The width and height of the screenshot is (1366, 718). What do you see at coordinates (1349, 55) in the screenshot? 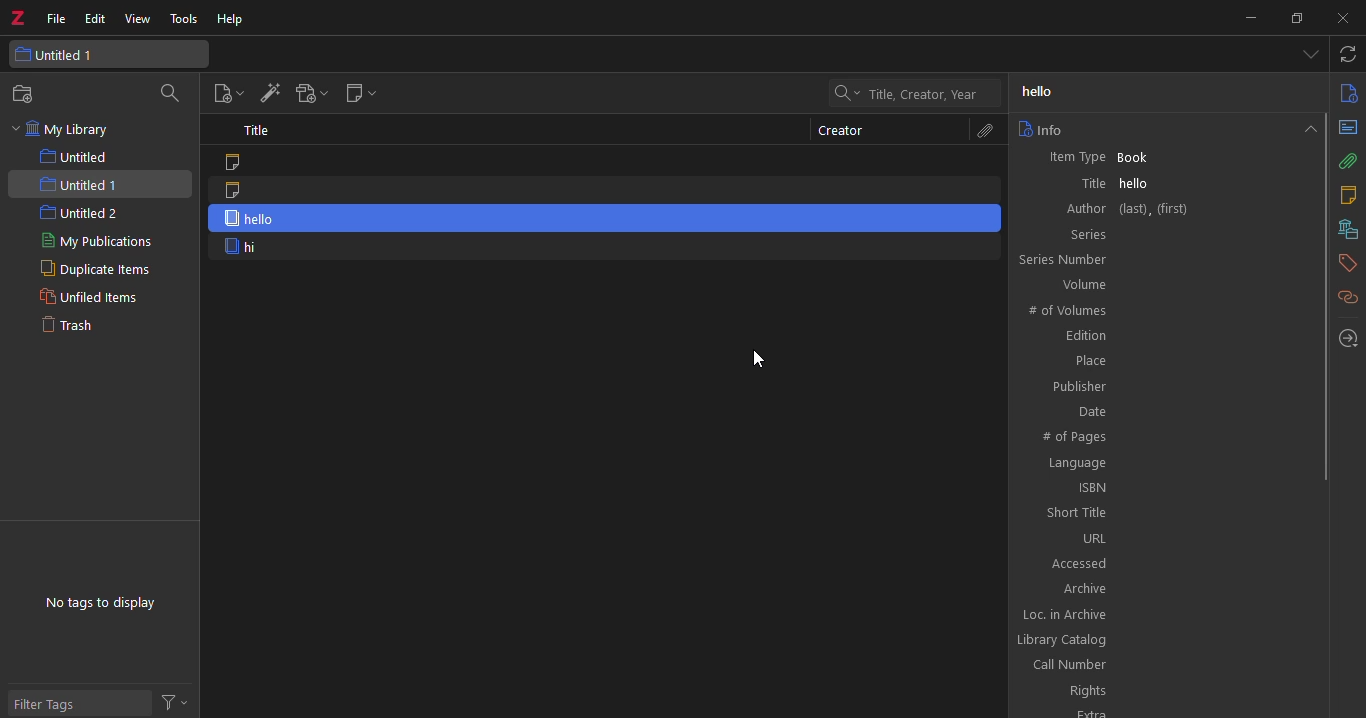
I see `sync with zotero.org` at bounding box center [1349, 55].